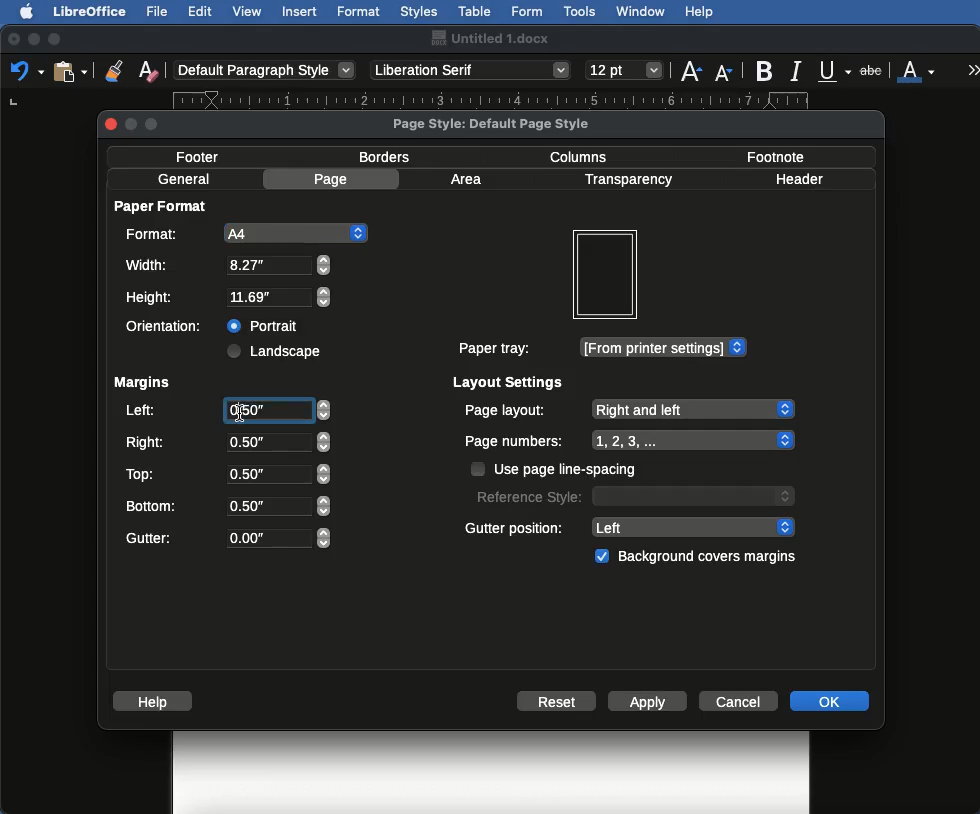 This screenshot has height=814, width=980. Describe the element at coordinates (626, 71) in the screenshot. I see `Size` at that location.